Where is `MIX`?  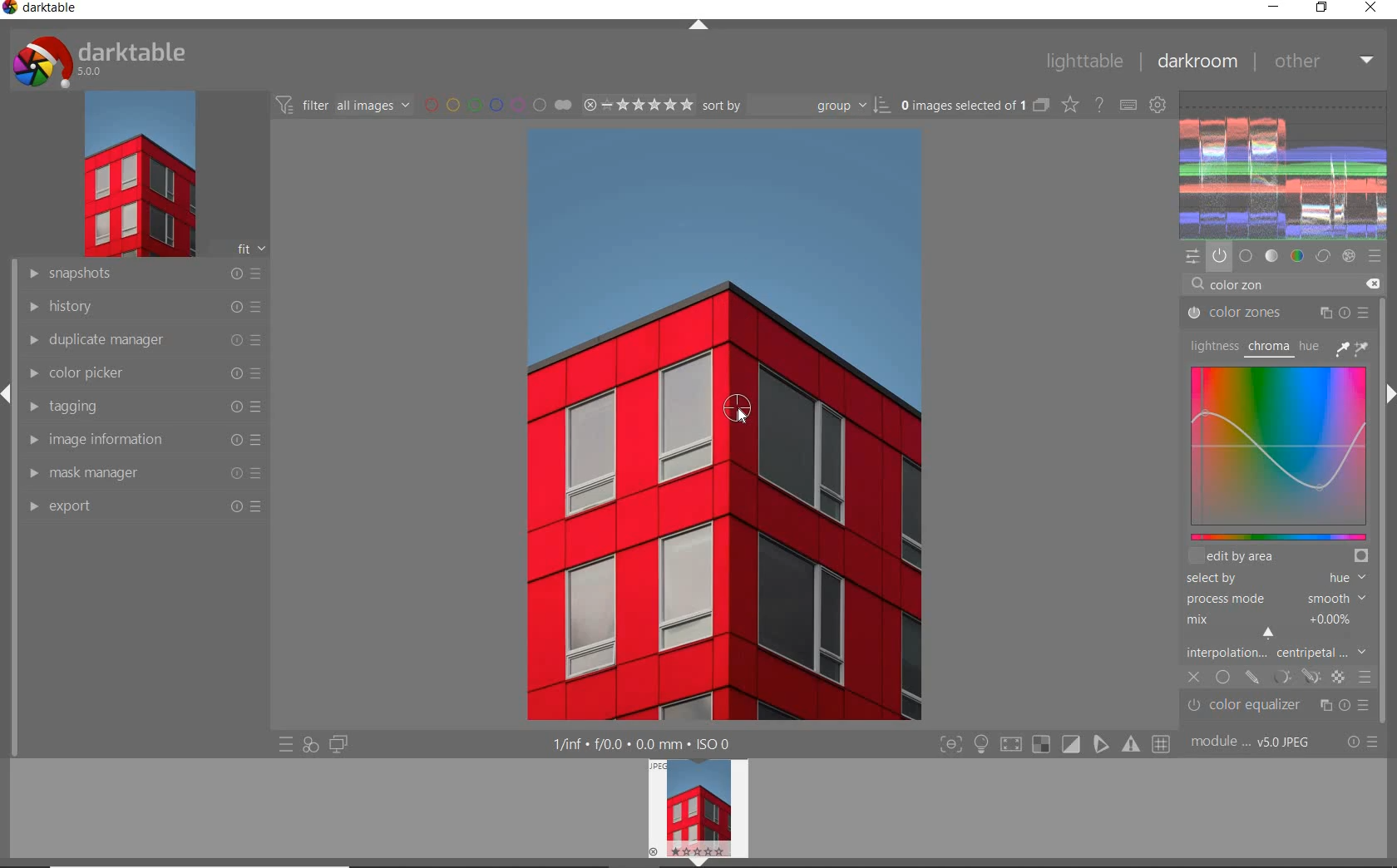 MIX is located at coordinates (1274, 623).